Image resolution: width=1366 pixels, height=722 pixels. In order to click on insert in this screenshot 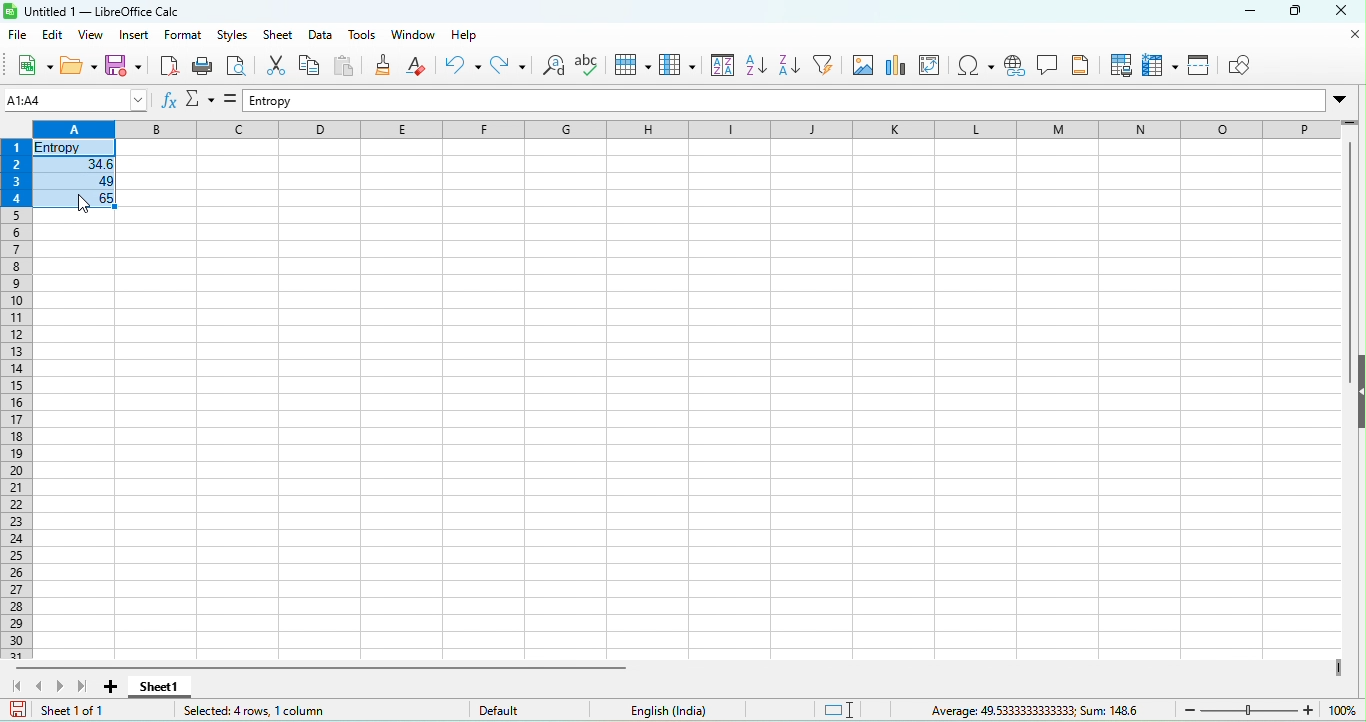, I will do `click(135, 37)`.